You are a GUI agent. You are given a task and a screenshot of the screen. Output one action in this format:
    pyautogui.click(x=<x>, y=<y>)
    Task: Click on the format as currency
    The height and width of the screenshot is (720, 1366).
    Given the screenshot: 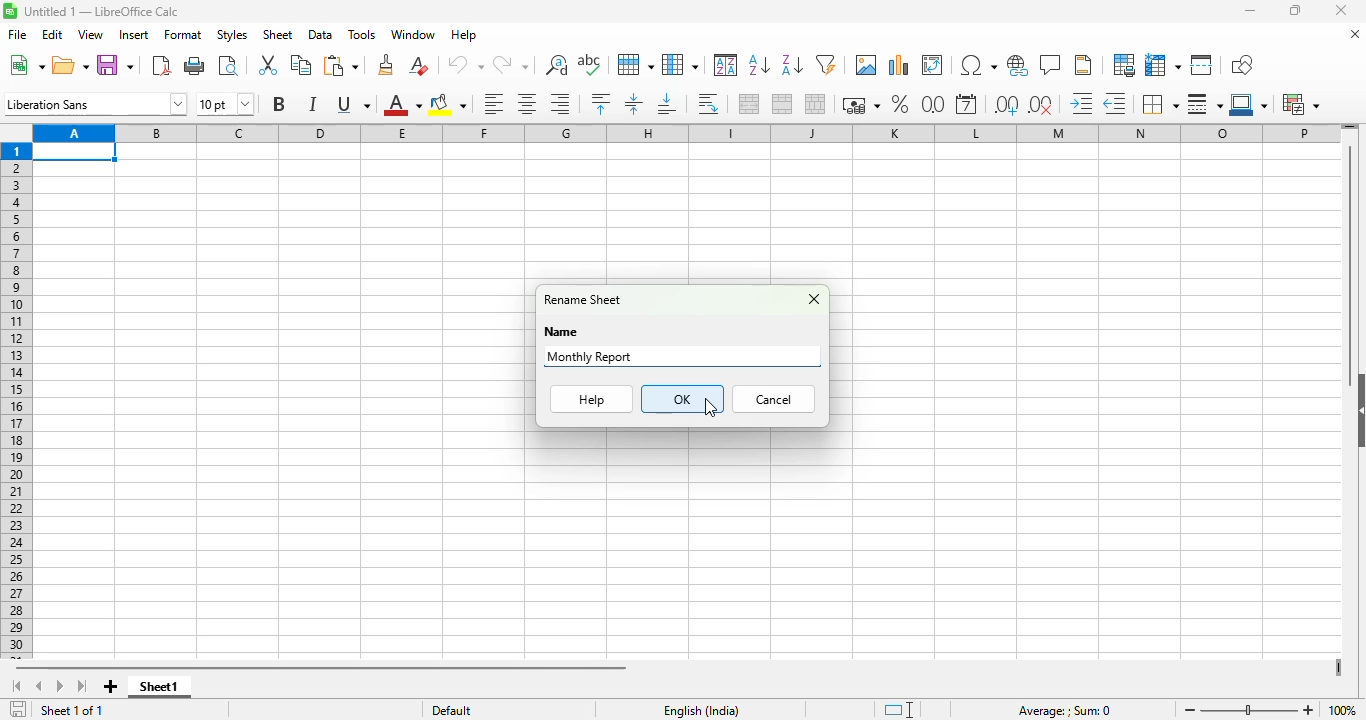 What is the action you would take?
    pyautogui.click(x=861, y=105)
    